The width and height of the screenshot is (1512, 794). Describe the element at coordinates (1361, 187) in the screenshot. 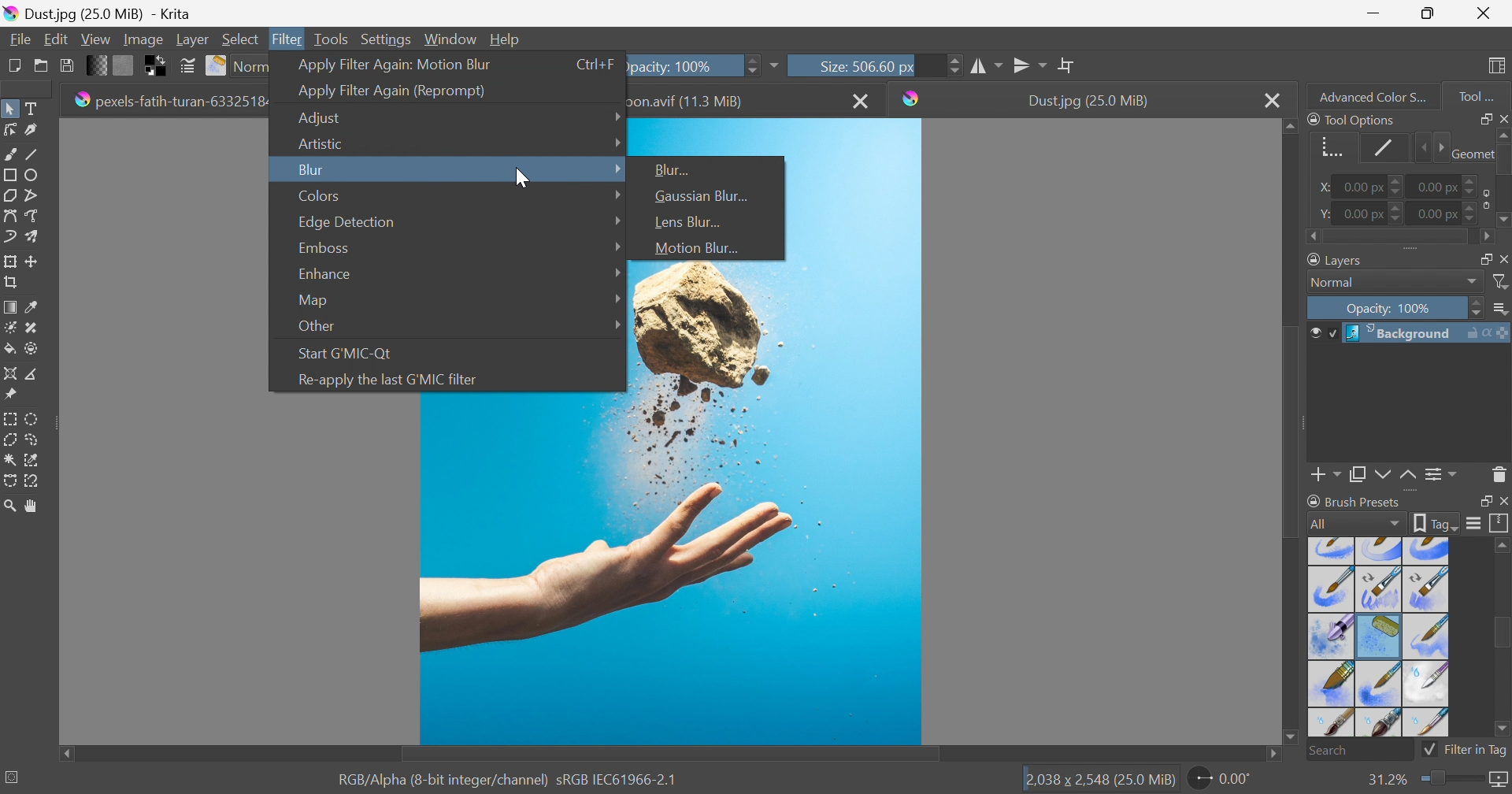

I see `0.00 px` at that location.